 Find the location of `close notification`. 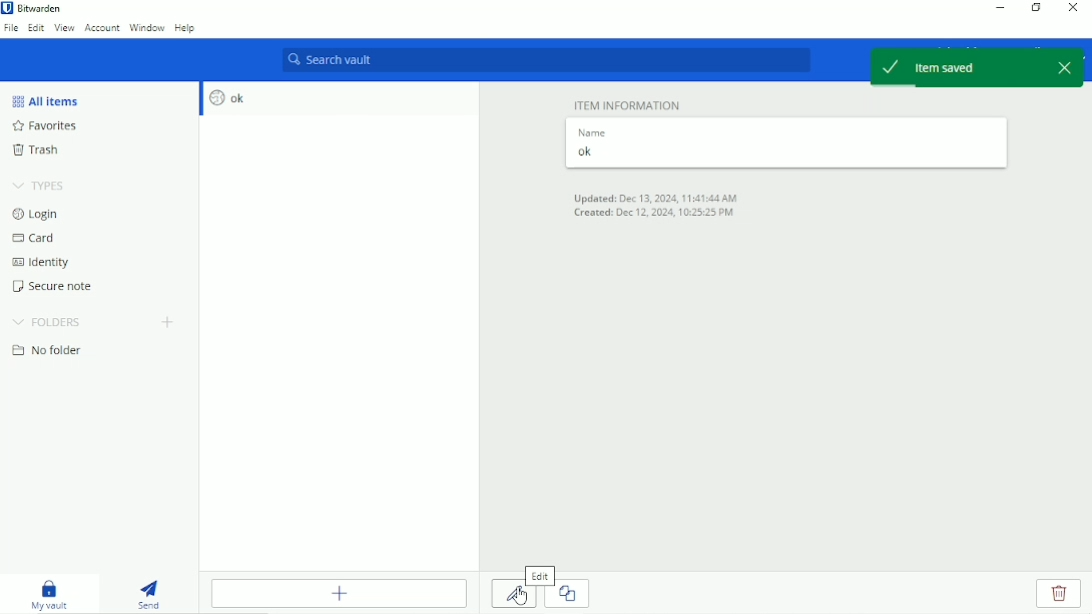

close notification is located at coordinates (1066, 67).